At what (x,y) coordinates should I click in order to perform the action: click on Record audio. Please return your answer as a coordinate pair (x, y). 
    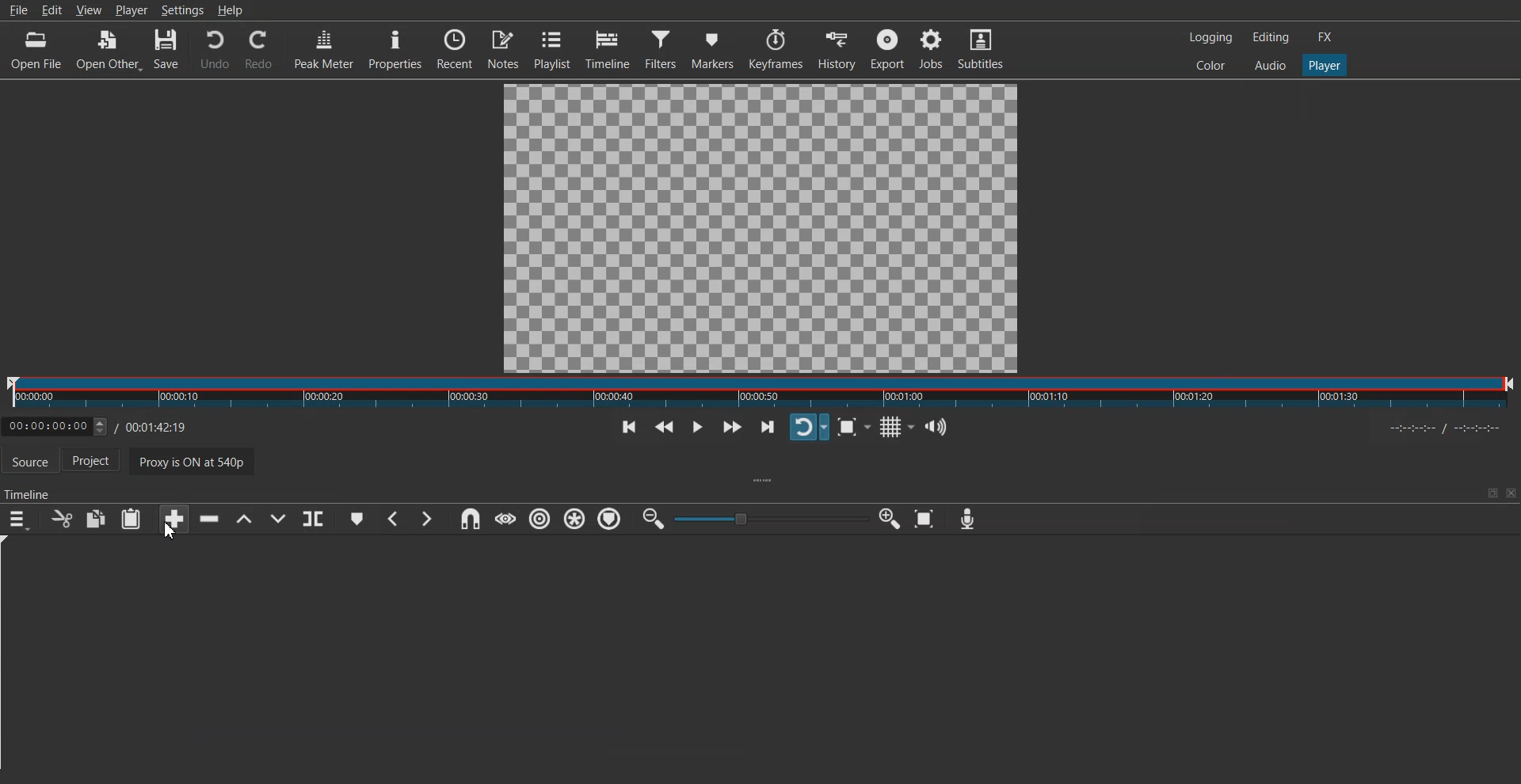
    Looking at the image, I should click on (966, 519).